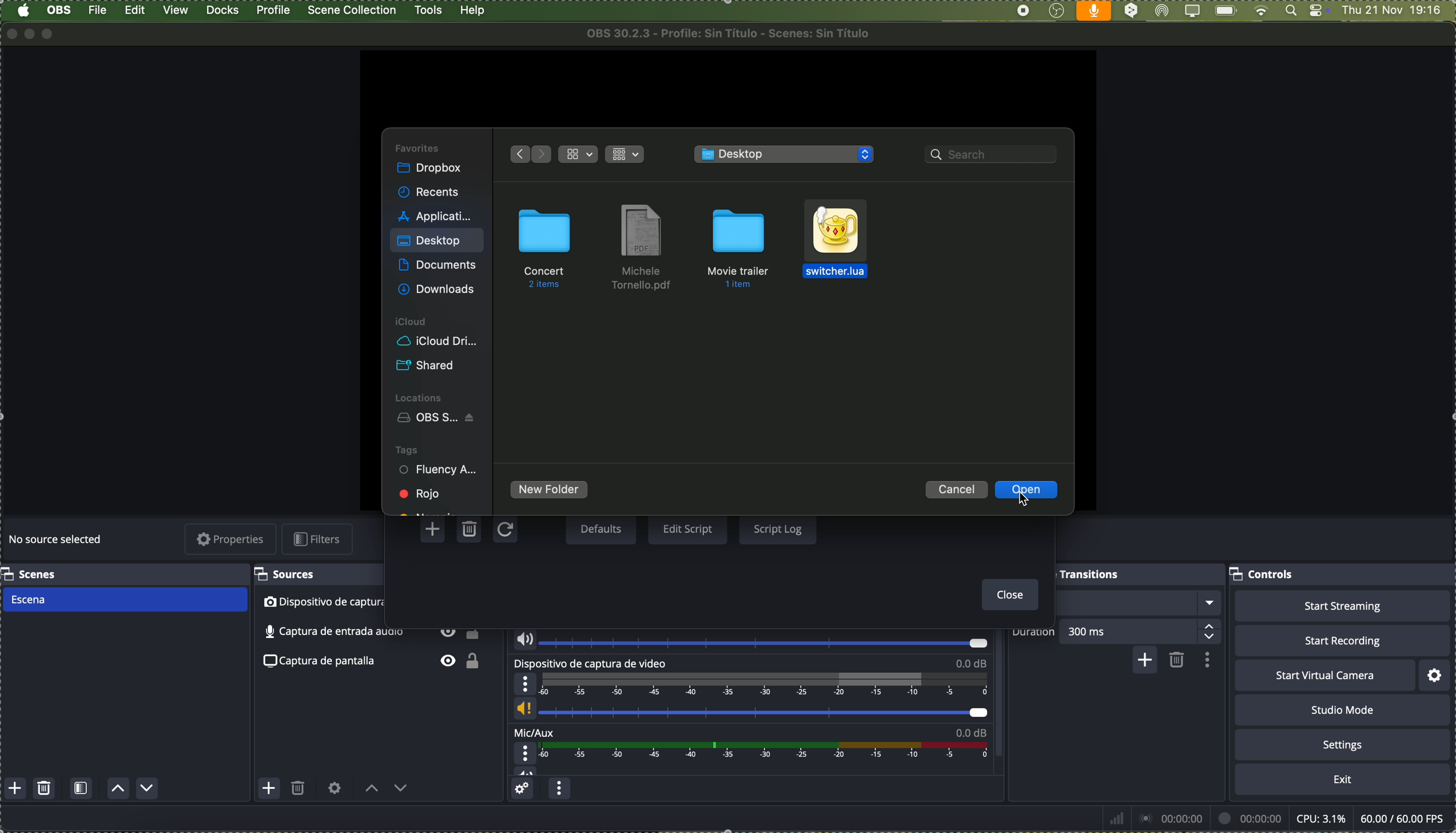 The height and width of the screenshot is (833, 1456). What do you see at coordinates (559, 790) in the screenshot?
I see `audio mixer menu` at bounding box center [559, 790].